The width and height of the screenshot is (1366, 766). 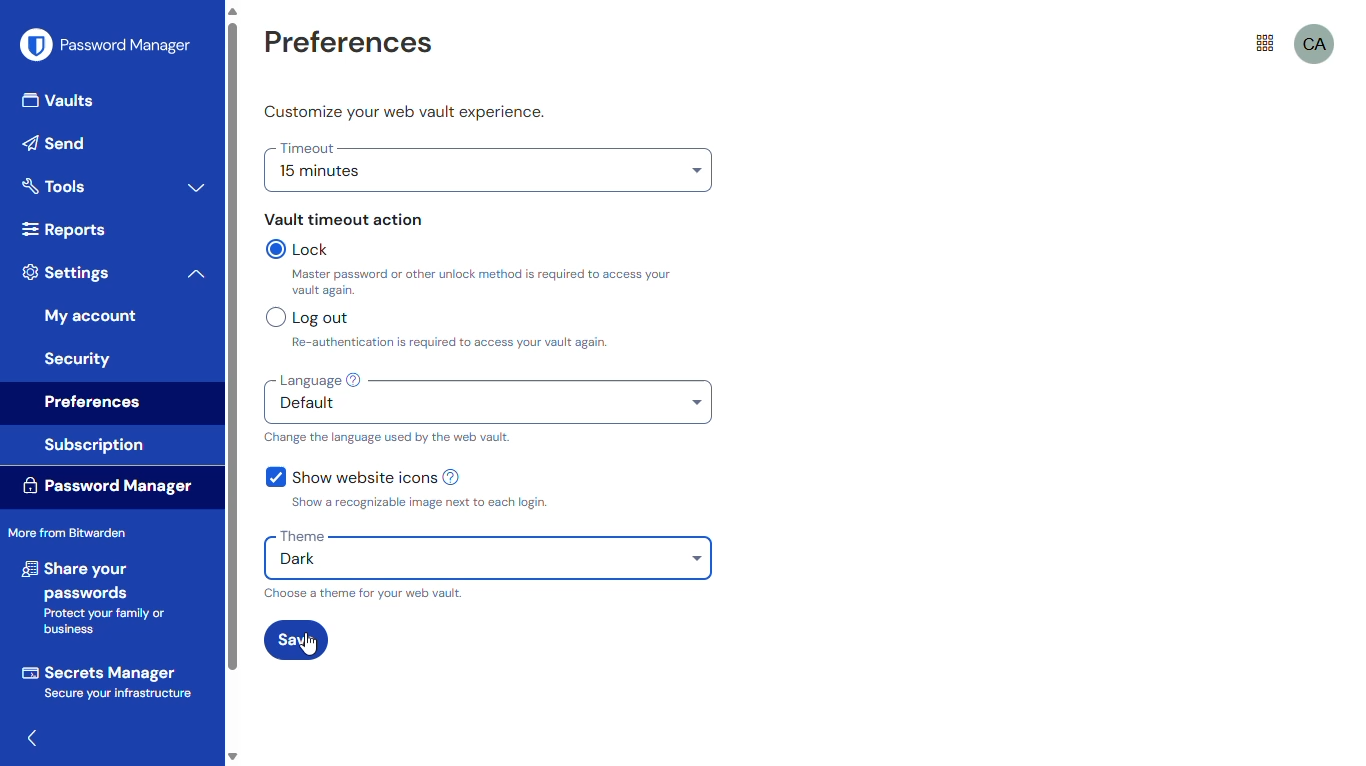 I want to click on language, so click(x=307, y=380).